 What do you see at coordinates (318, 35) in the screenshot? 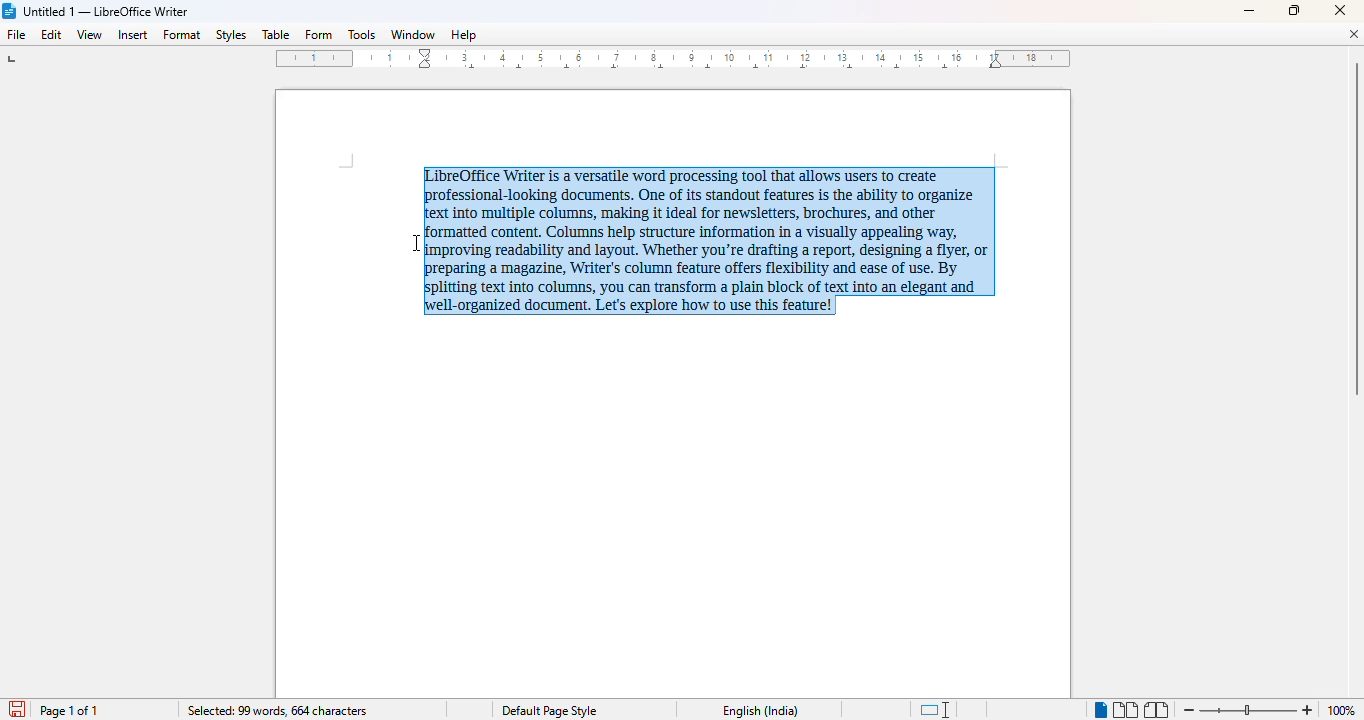
I see `form` at bounding box center [318, 35].